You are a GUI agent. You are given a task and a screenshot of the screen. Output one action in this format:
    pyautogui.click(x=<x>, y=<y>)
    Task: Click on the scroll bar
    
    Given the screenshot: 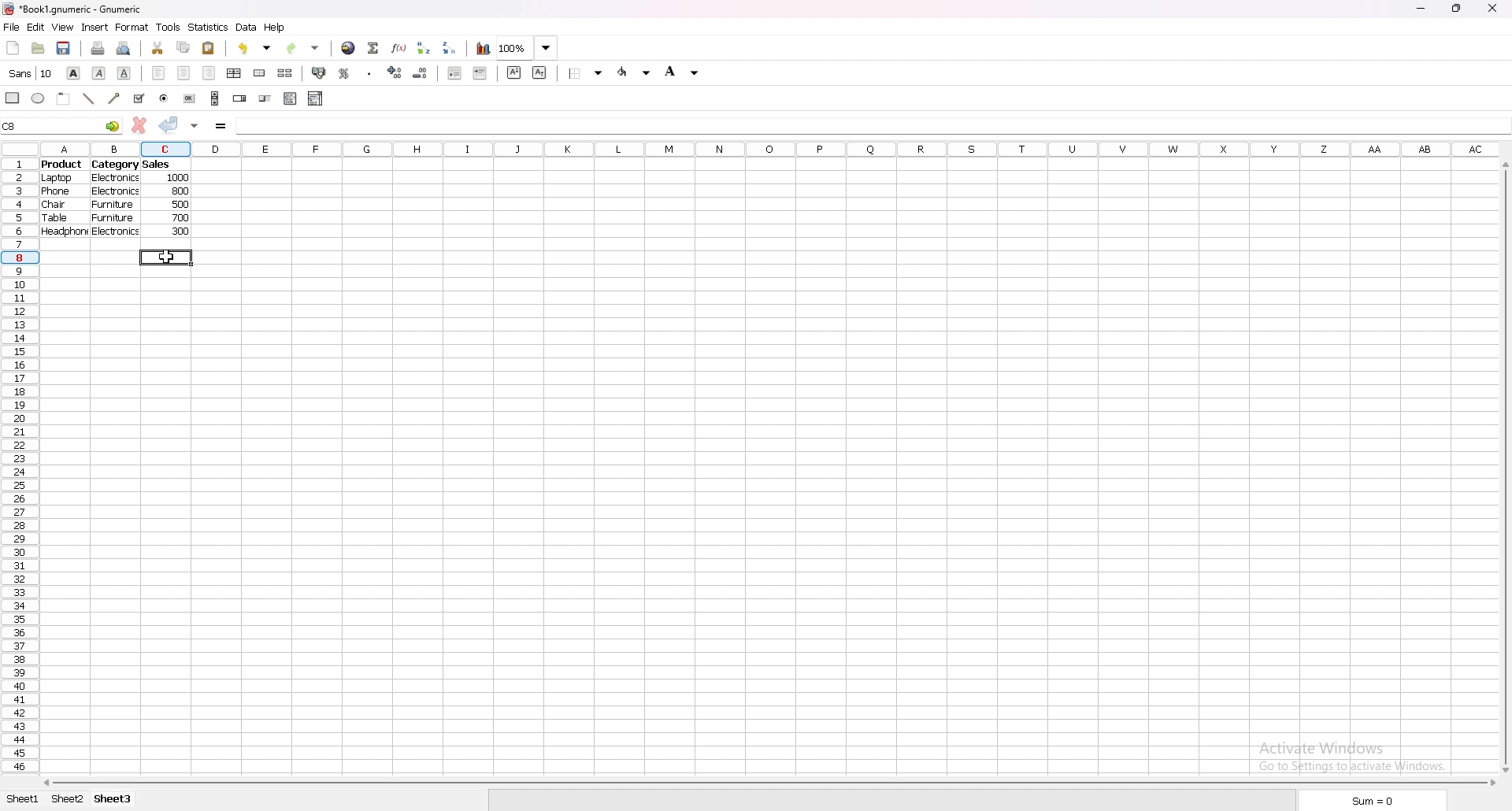 What is the action you would take?
    pyautogui.click(x=1506, y=465)
    